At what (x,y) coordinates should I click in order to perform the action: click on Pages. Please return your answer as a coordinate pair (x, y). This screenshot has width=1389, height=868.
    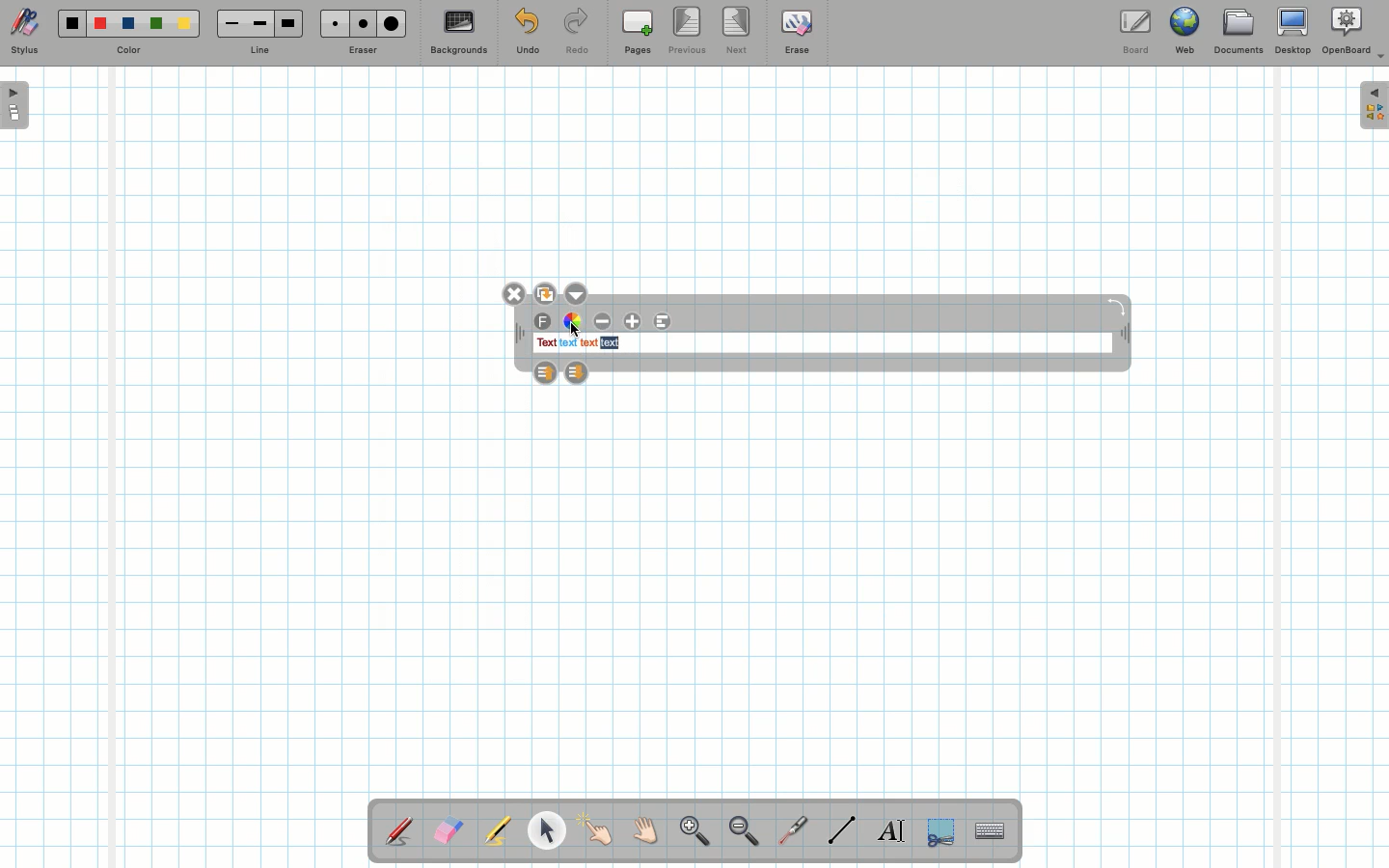
    Looking at the image, I should click on (638, 34).